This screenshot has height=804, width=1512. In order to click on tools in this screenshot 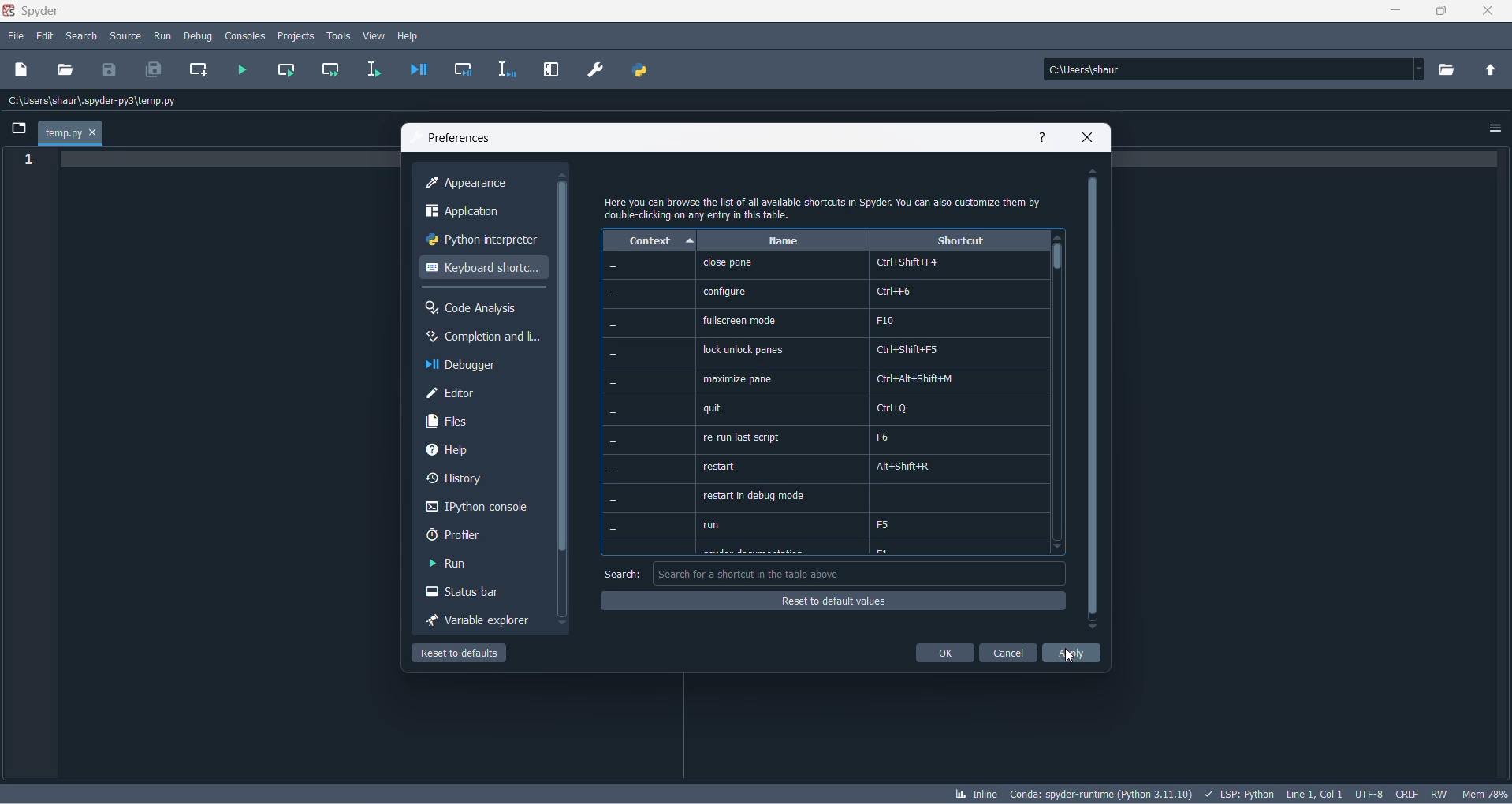, I will do `click(339, 35)`.